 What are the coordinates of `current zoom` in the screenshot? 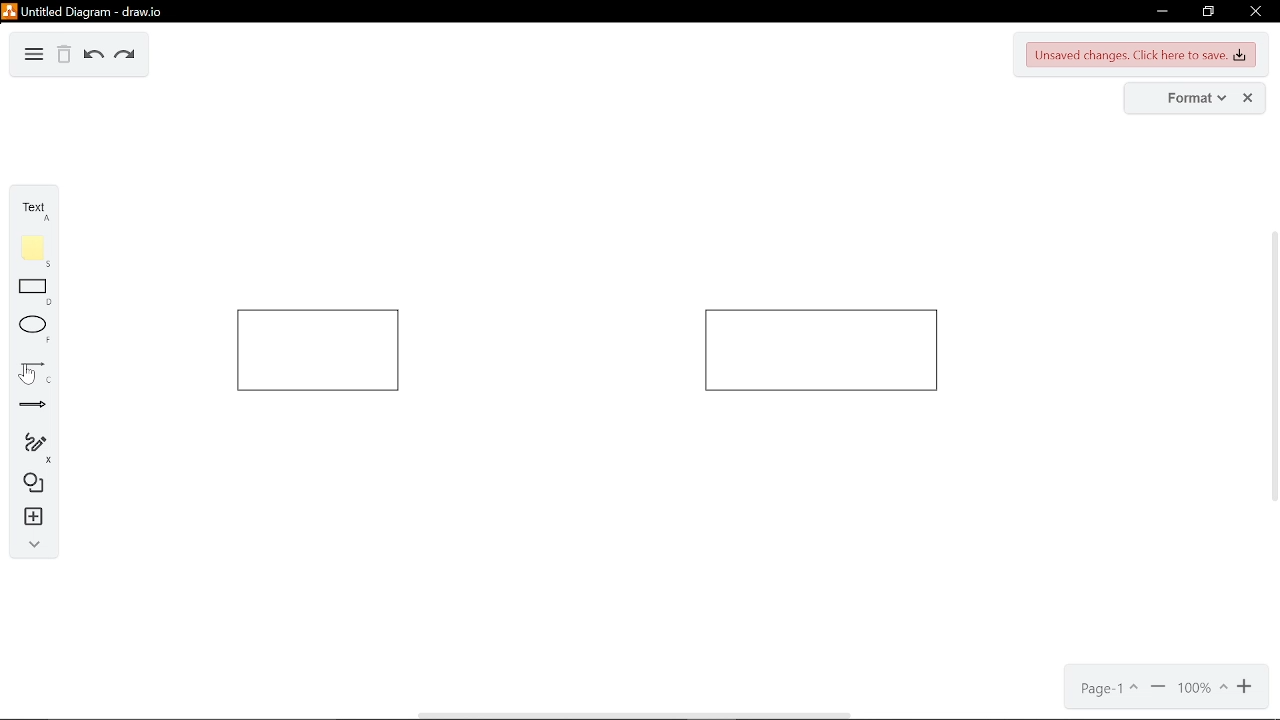 It's located at (1201, 689).